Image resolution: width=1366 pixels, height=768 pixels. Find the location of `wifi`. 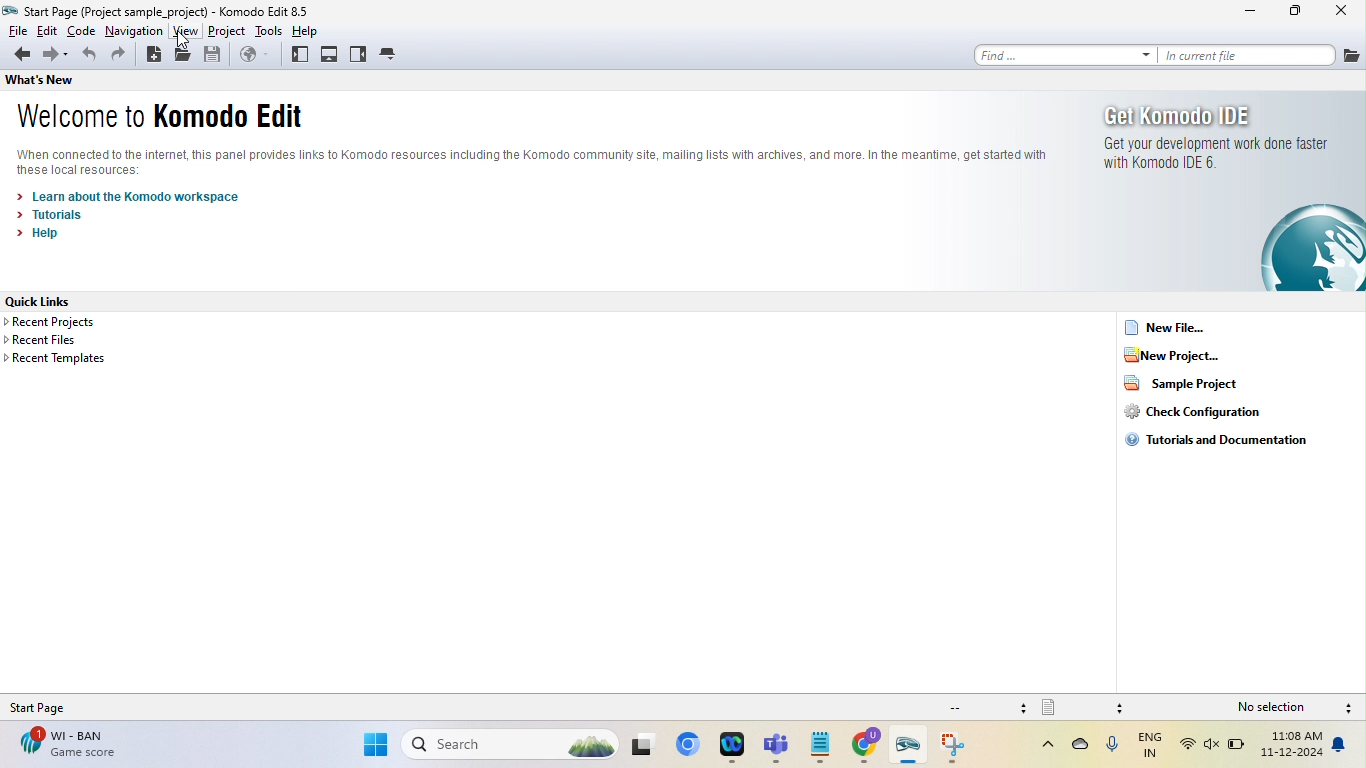

wifi is located at coordinates (1188, 746).